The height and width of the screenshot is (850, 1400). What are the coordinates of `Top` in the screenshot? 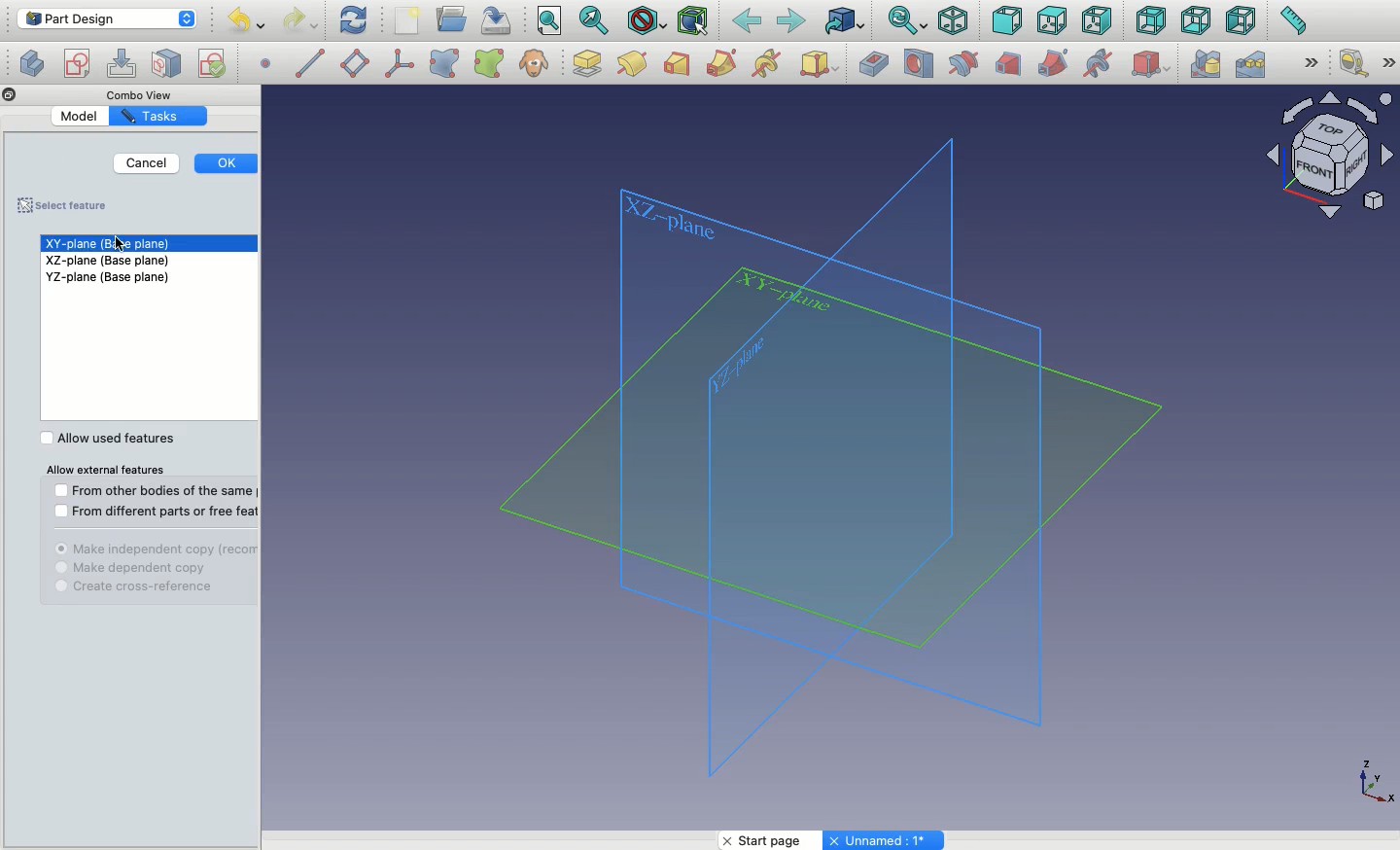 It's located at (1051, 21).